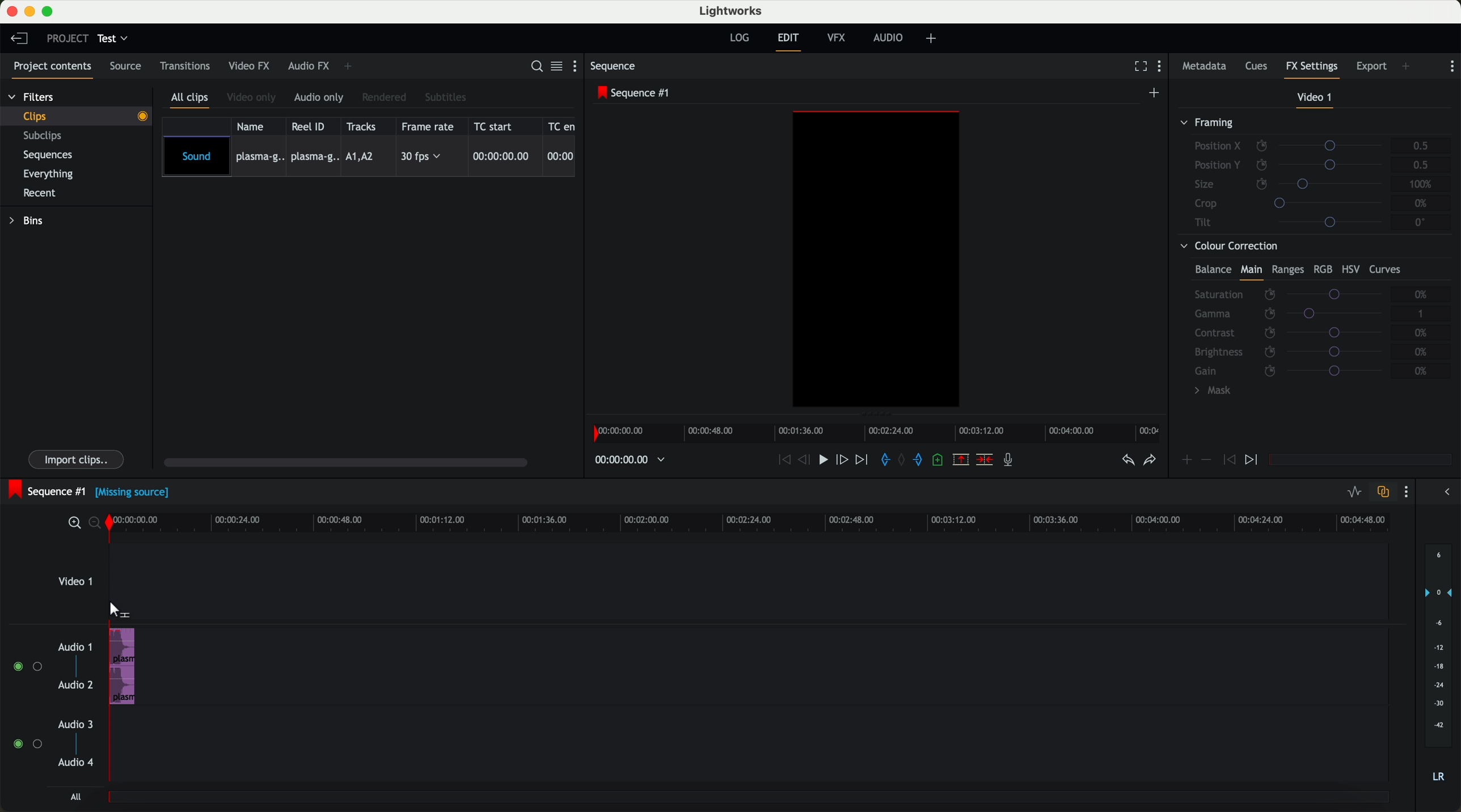 This screenshot has height=812, width=1461. Describe the element at coordinates (1310, 322) in the screenshot. I see `colour correction` at that location.